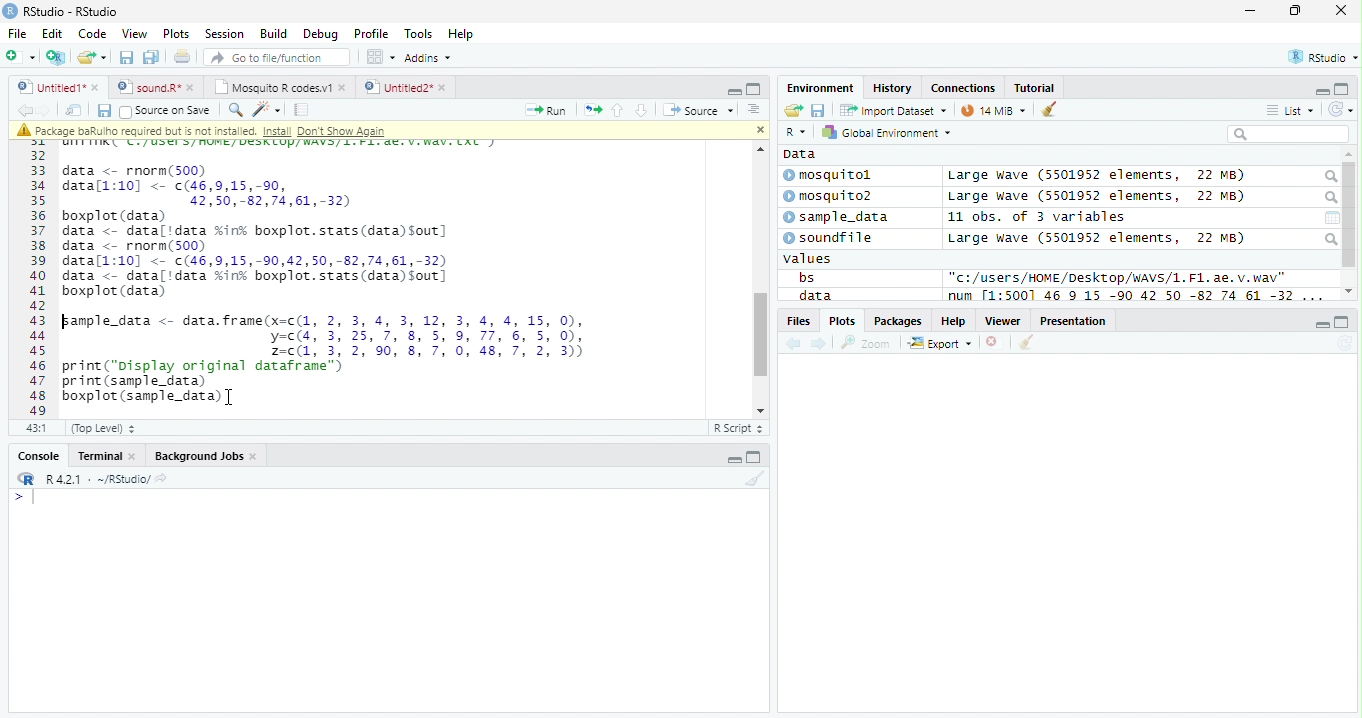 This screenshot has height=718, width=1362. I want to click on close, so click(759, 130).